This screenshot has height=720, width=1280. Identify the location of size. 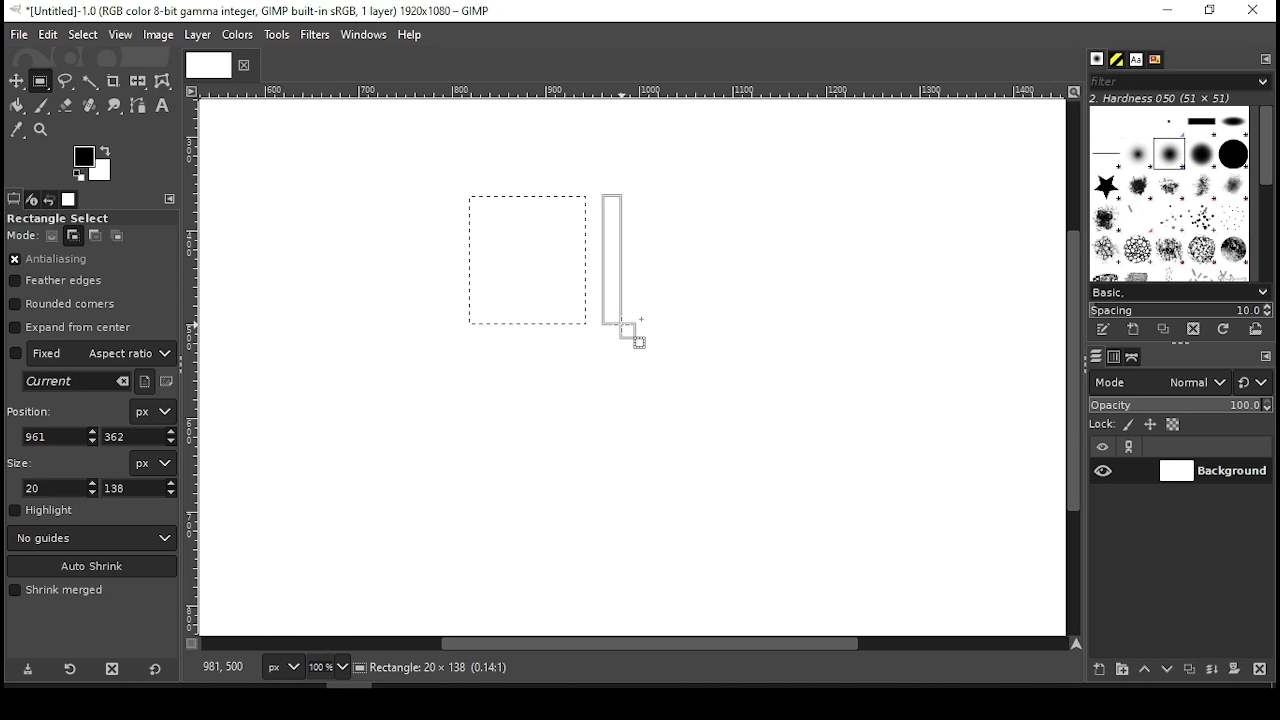
(24, 461).